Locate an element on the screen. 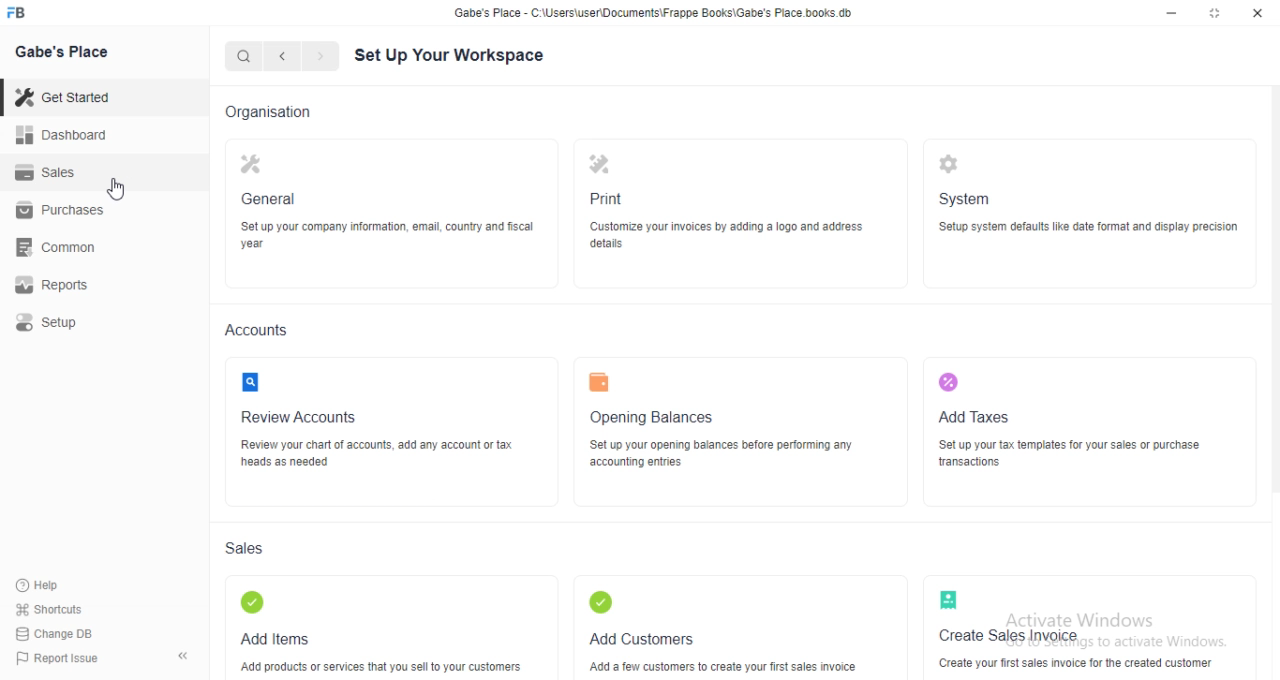 This screenshot has height=680, width=1280. Get started is located at coordinates (65, 97).